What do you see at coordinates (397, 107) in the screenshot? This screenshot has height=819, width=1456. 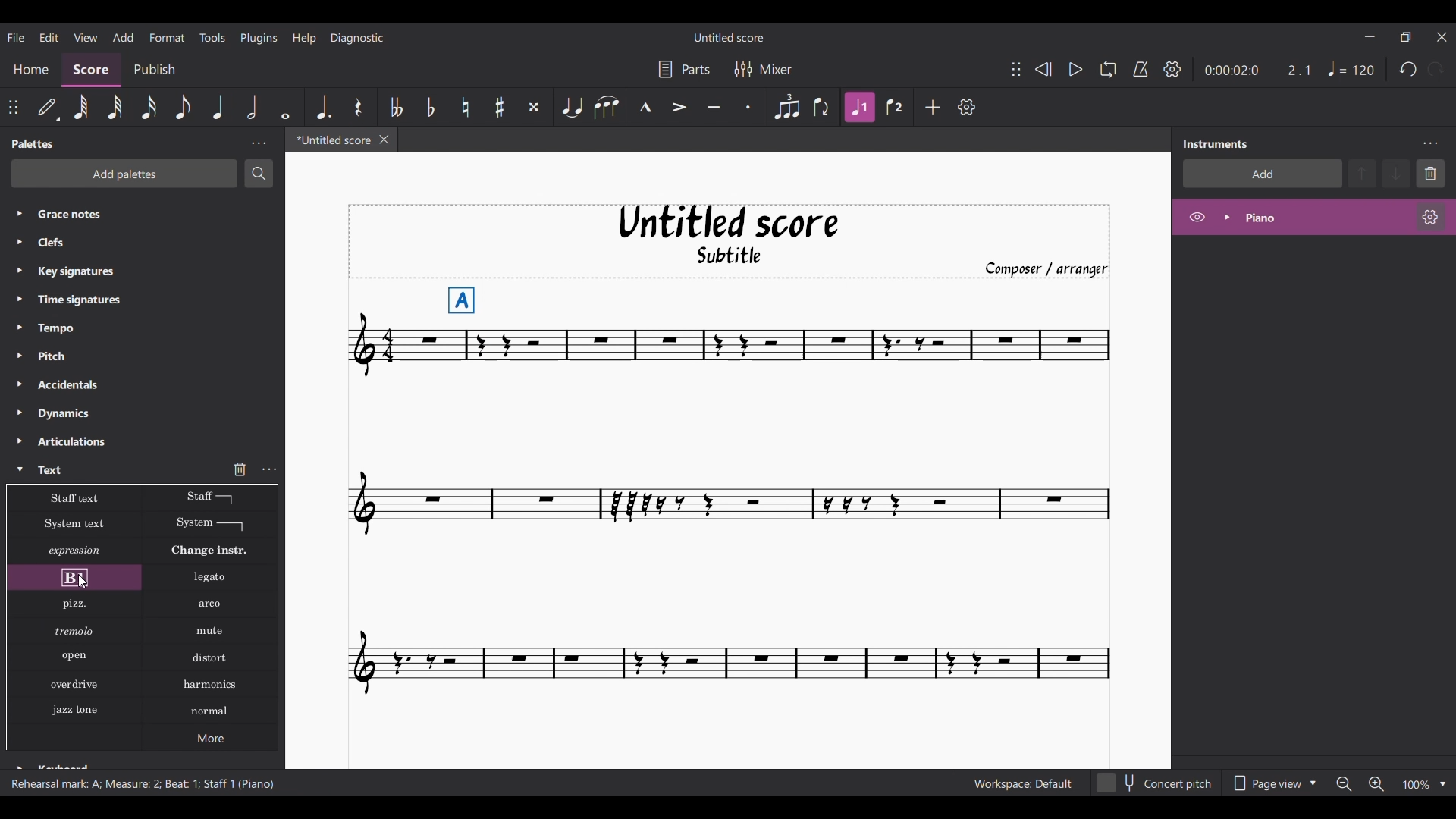 I see `Toggle double flat` at bounding box center [397, 107].